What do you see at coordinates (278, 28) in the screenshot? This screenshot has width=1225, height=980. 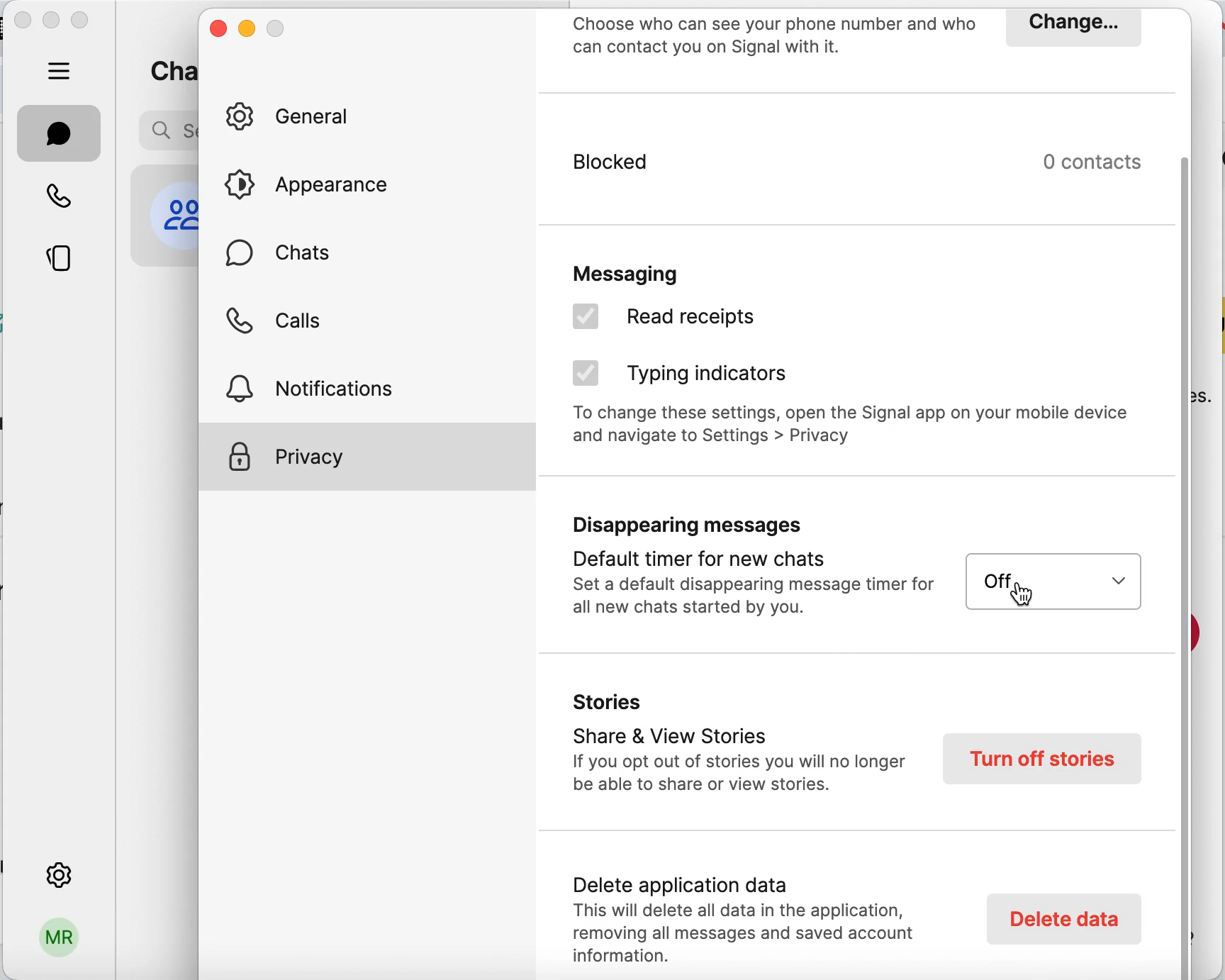 I see `maximize` at bounding box center [278, 28].